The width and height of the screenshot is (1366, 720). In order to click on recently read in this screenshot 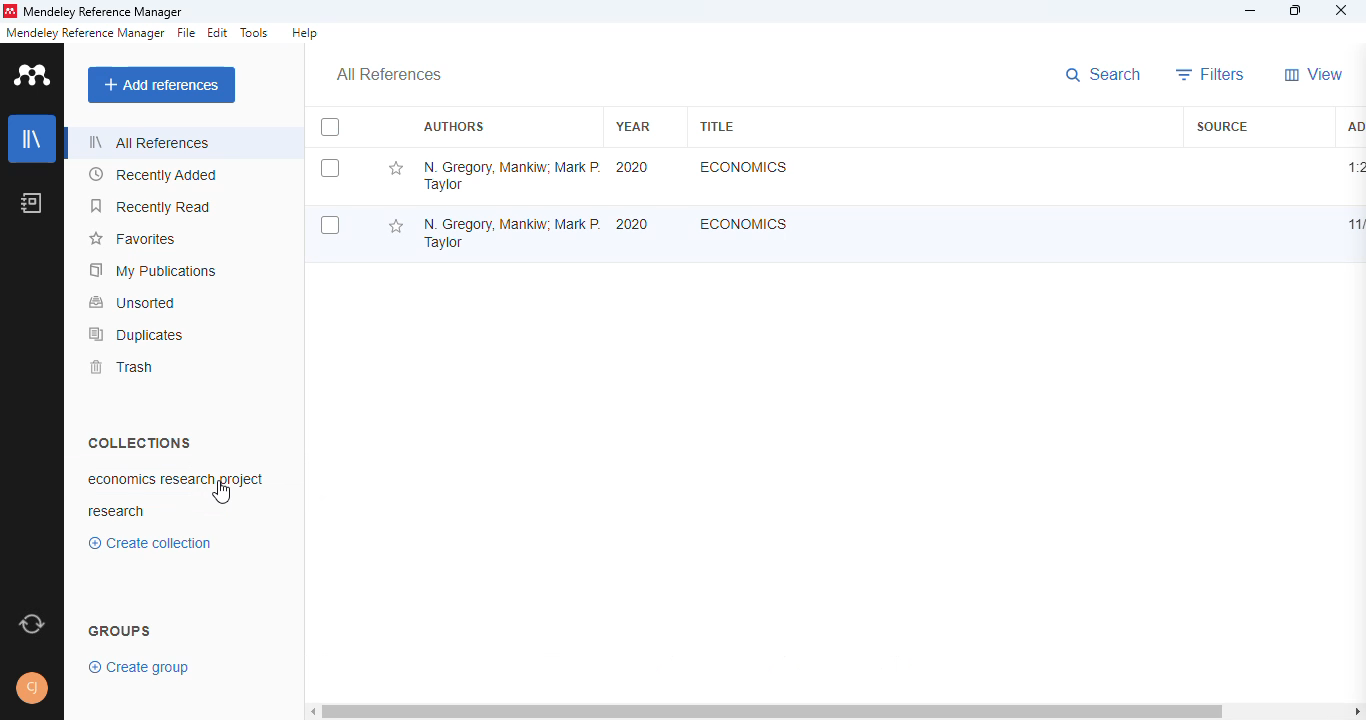, I will do `click(152, 206)`.